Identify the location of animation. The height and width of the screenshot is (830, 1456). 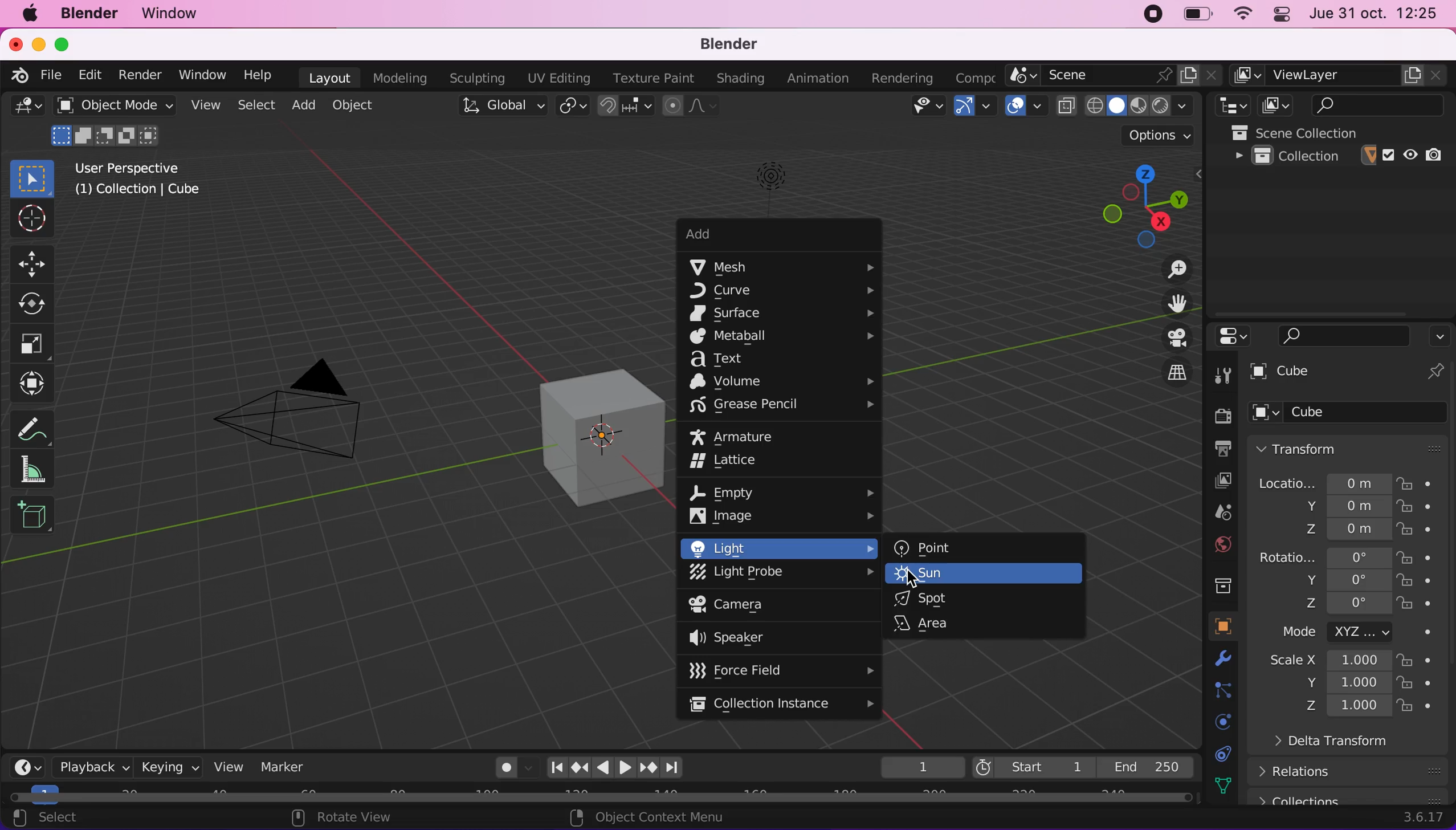
(814, 78).